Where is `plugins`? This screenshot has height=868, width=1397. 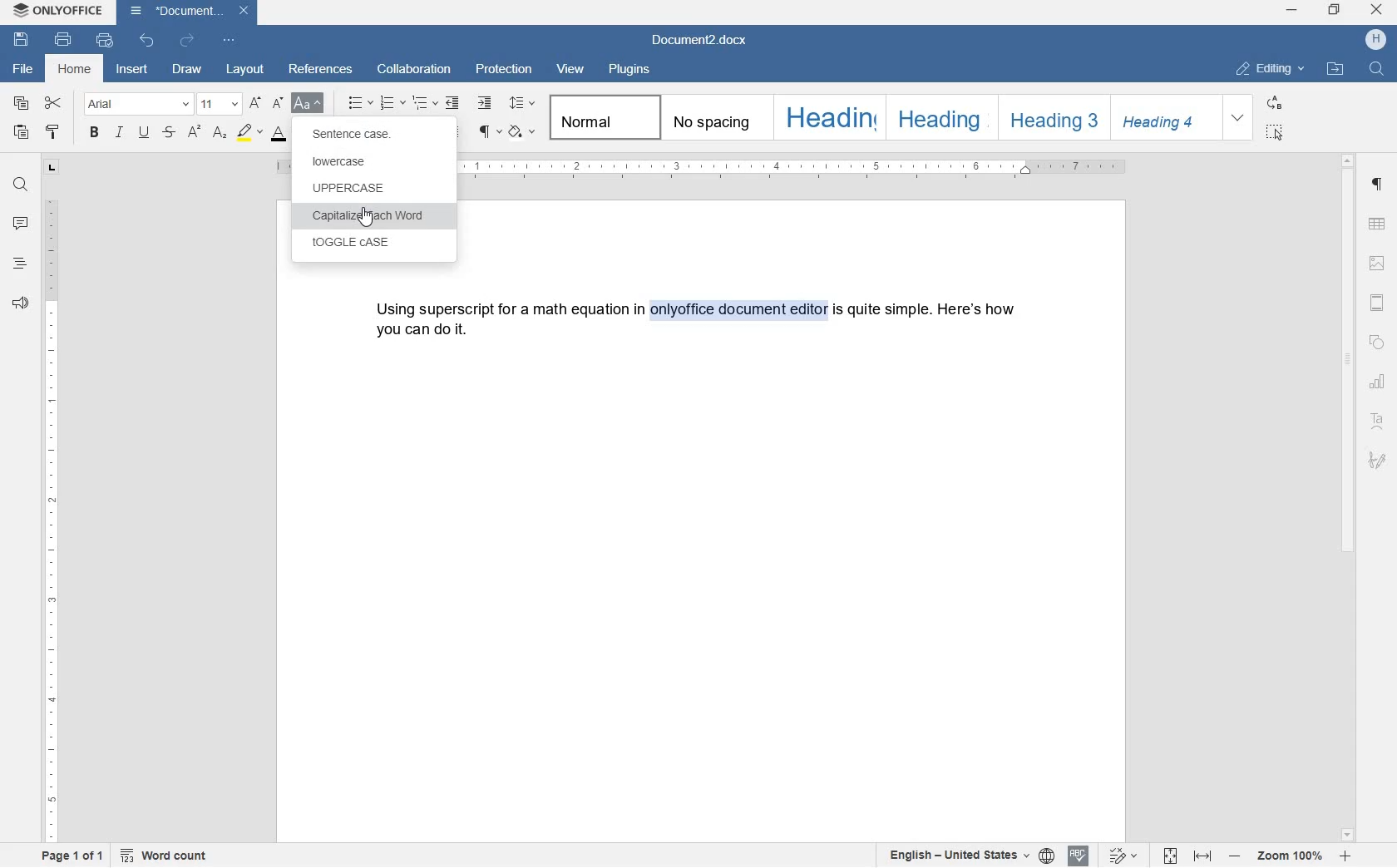
plugins is located at coordinates (631, 70).